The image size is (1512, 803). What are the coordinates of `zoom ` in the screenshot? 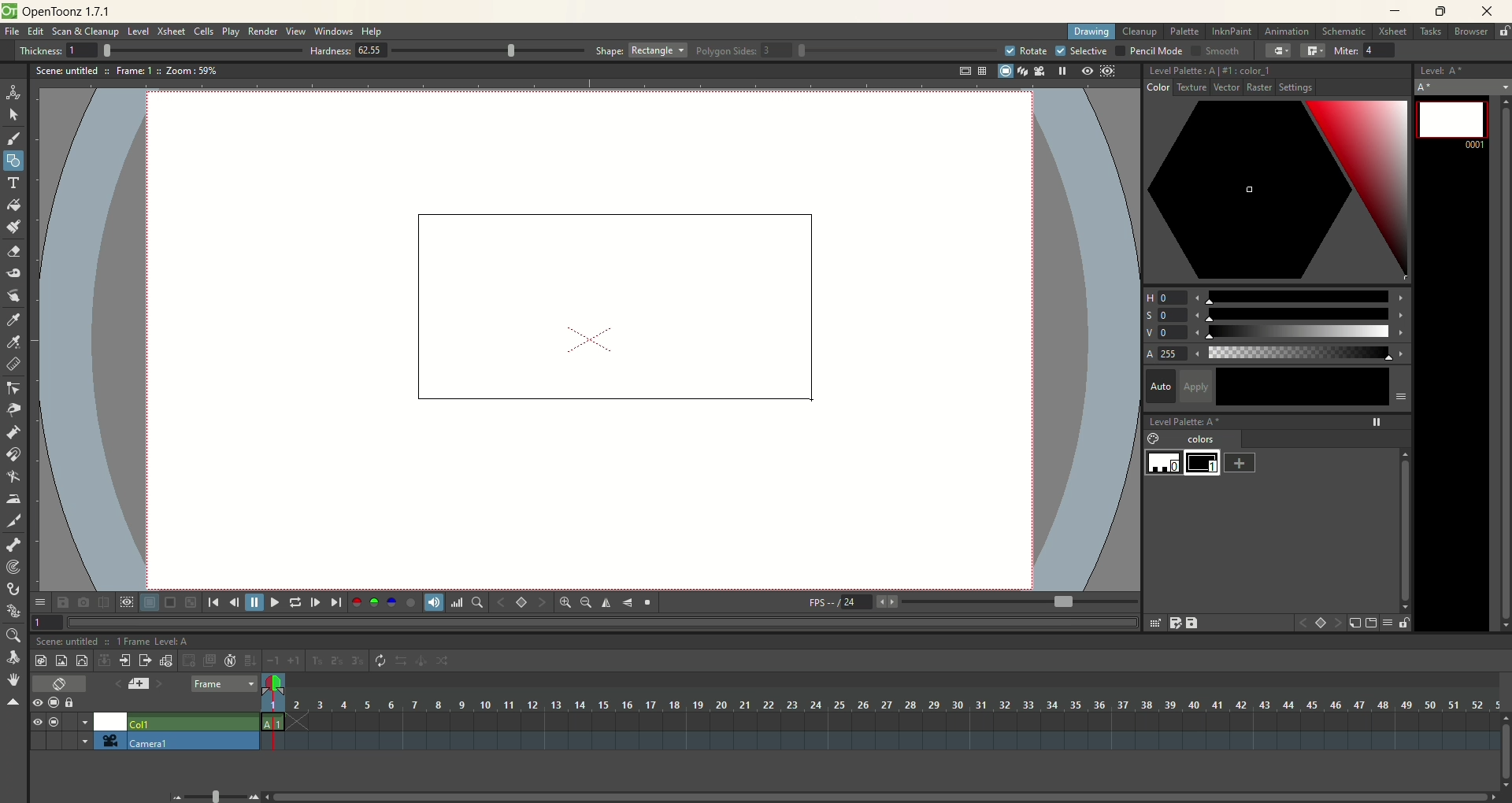 It's located at (12, 636).